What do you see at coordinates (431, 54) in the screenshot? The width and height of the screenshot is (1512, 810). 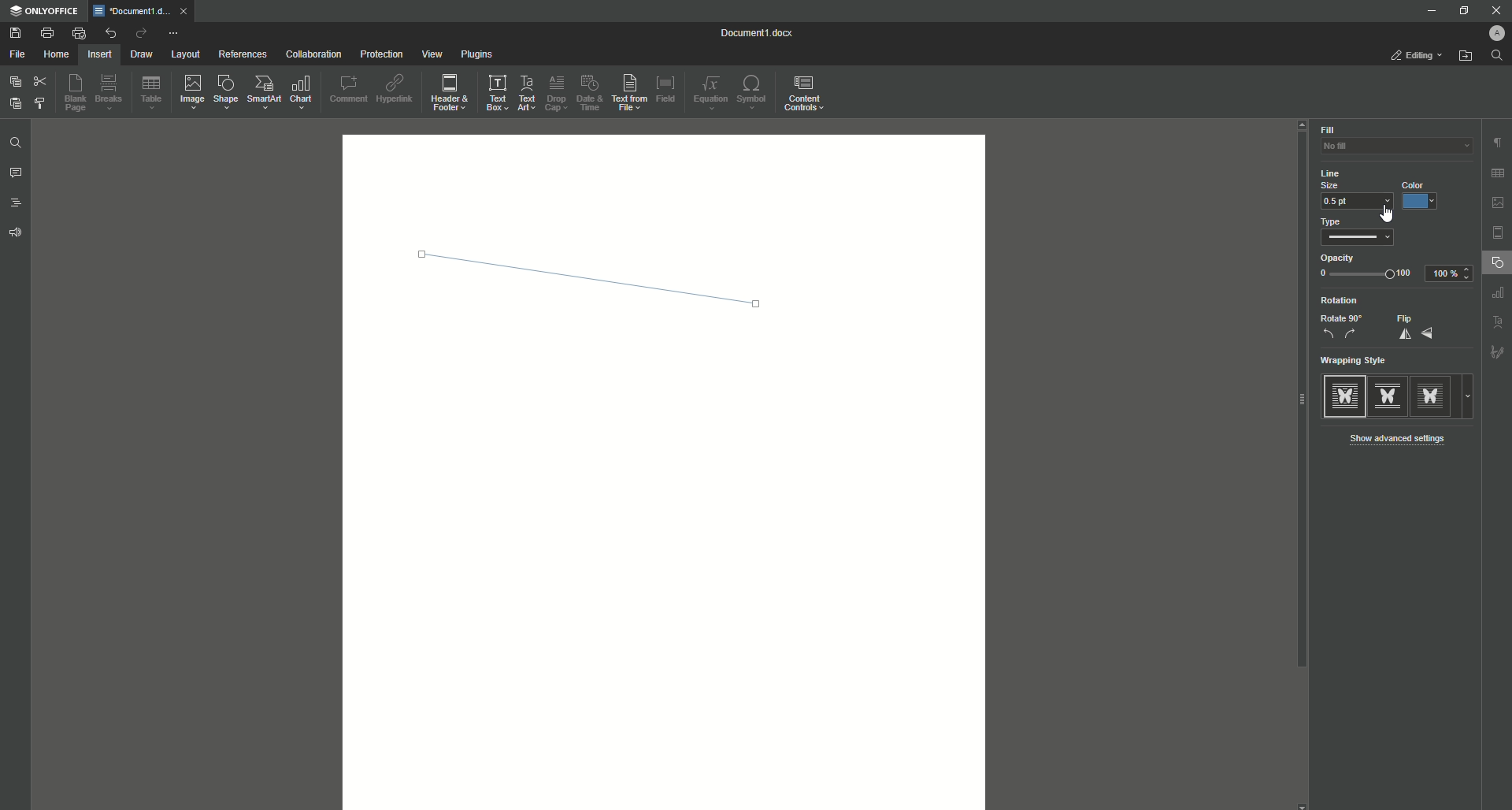 I see `View` at bounding box center [431, 54].